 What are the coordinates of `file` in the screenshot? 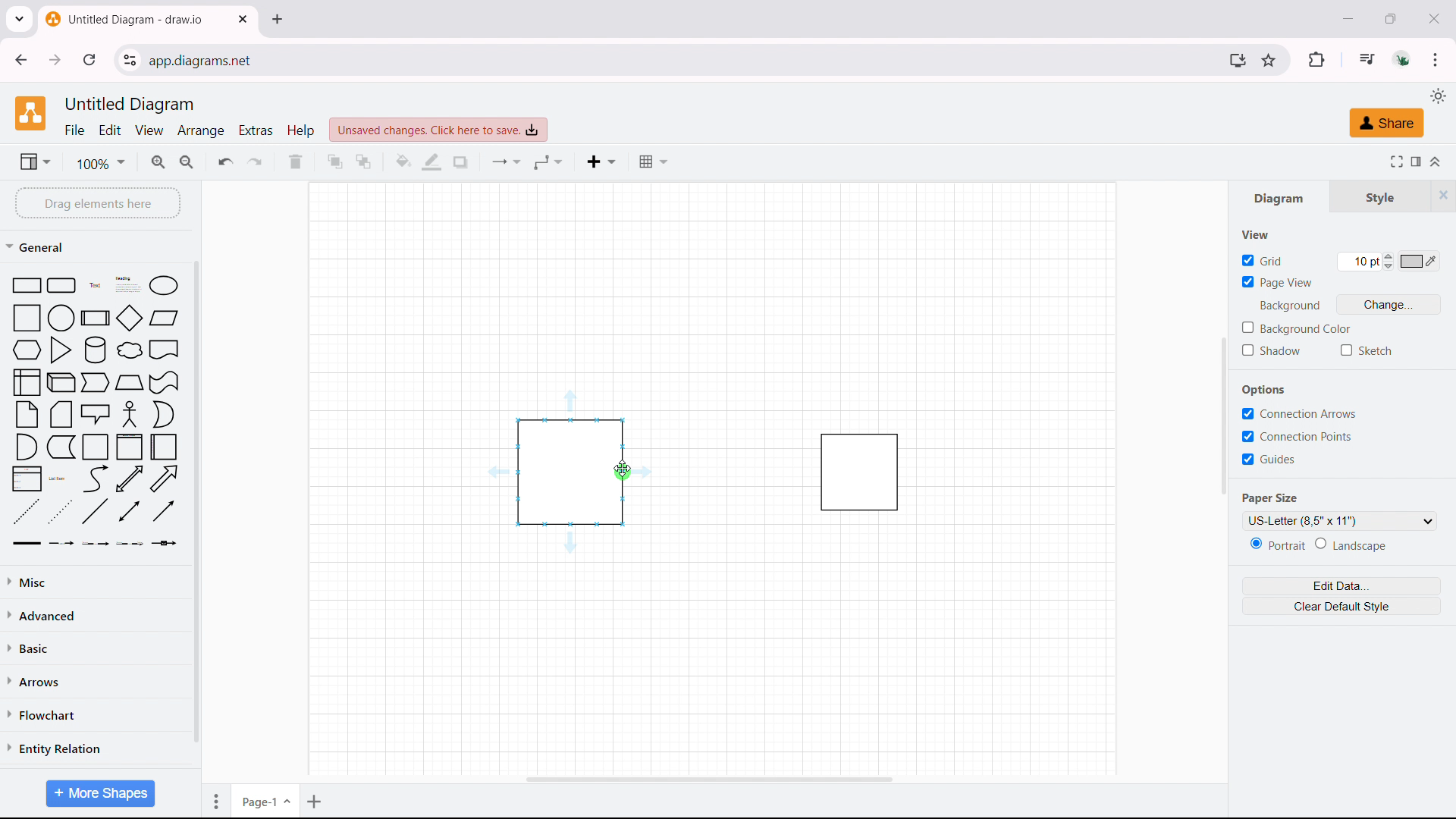 It's located at (75, 130).